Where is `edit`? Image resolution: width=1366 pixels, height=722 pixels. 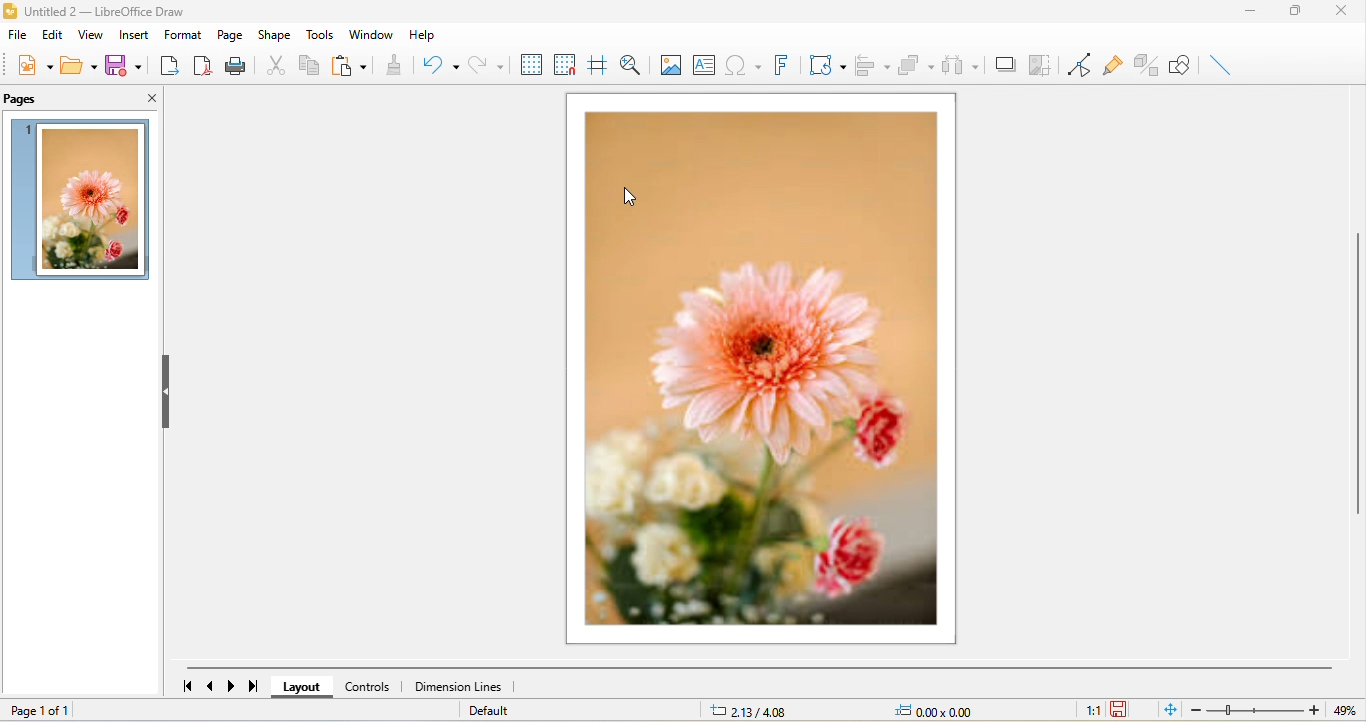
edit is located at coordinates (55, 34).